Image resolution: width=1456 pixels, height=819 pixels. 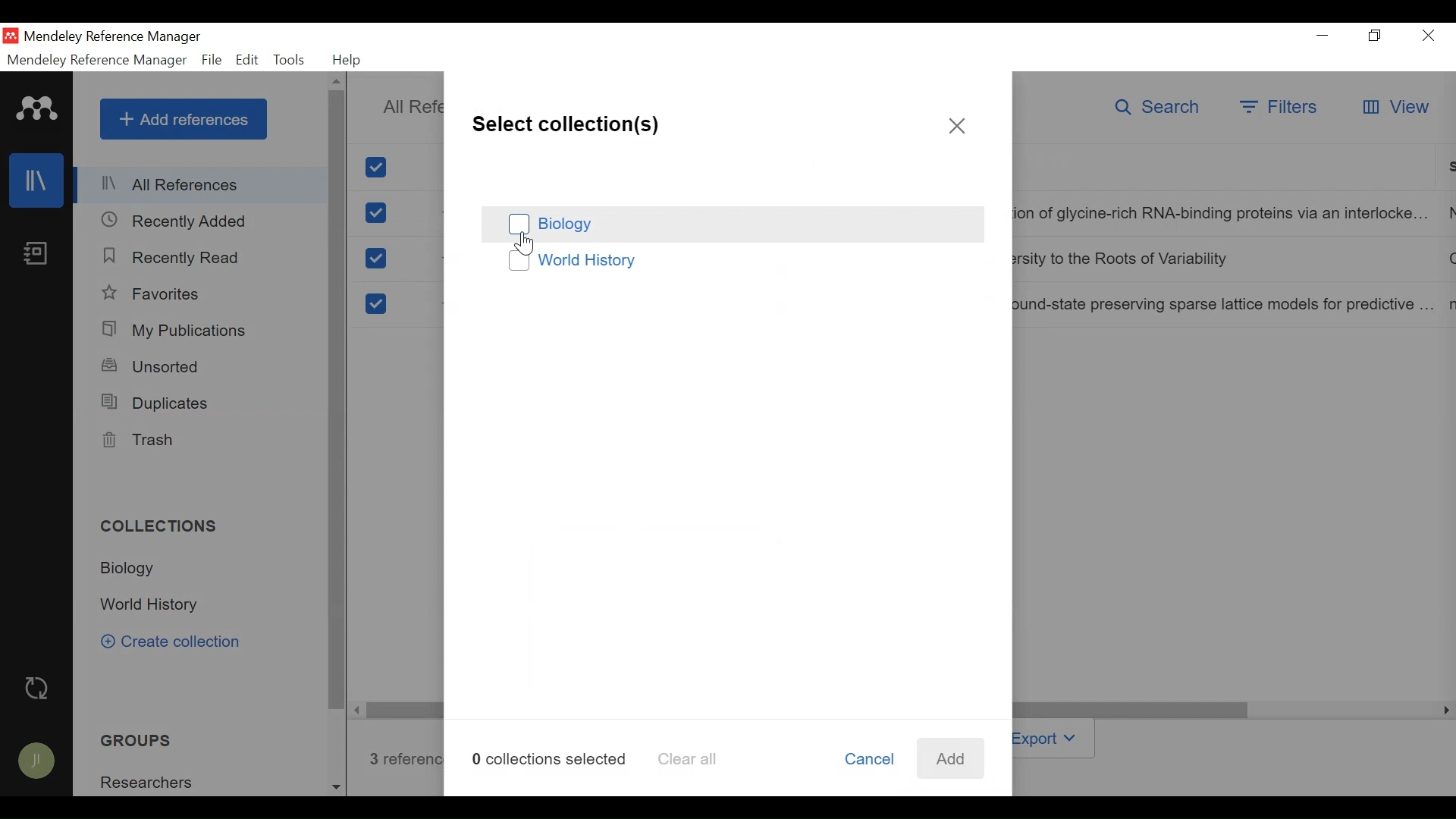 I want to click on (un)select, so click(x=375, y=259).